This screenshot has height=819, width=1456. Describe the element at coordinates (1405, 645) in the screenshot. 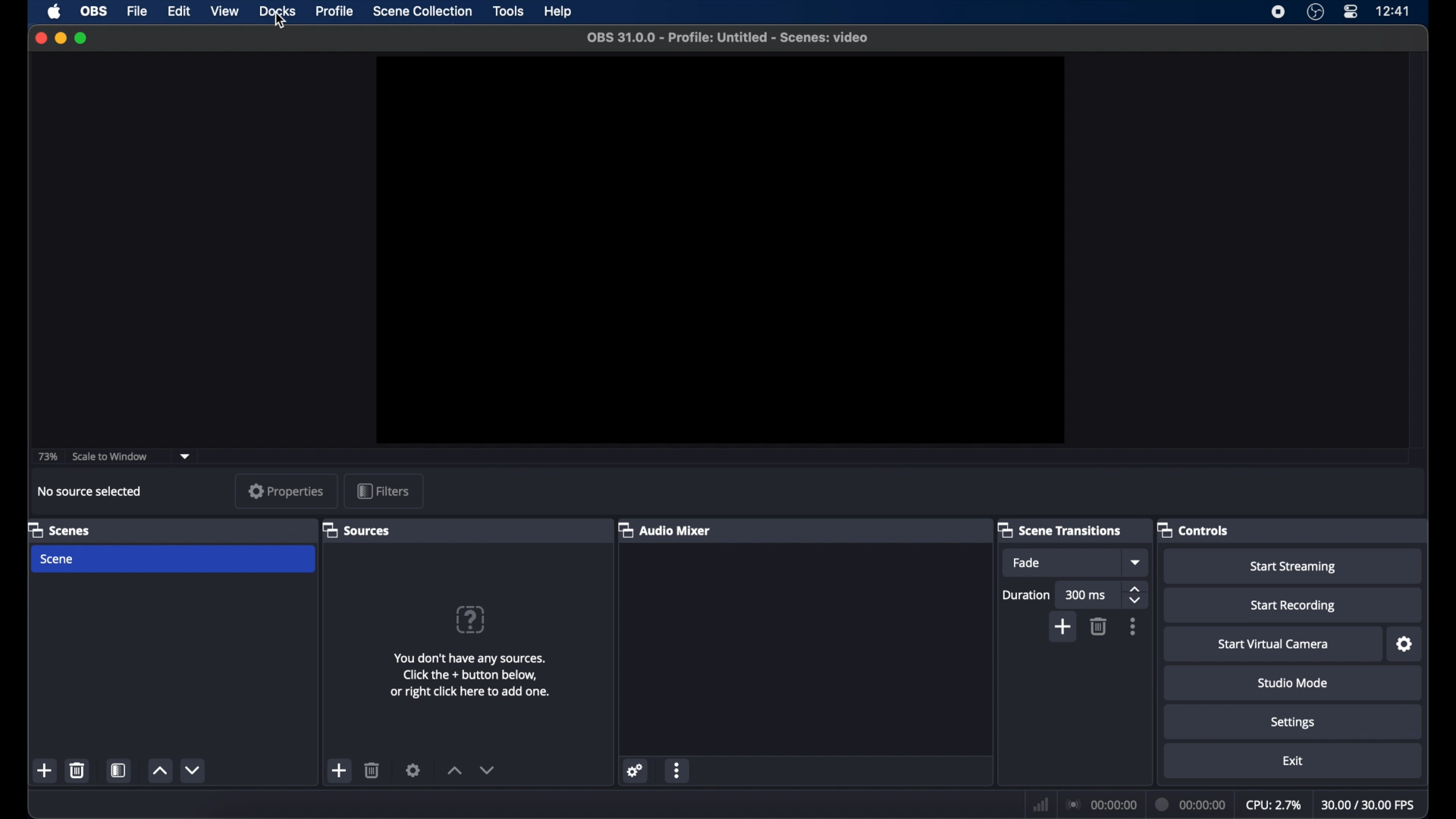

I see `settings` at that location.